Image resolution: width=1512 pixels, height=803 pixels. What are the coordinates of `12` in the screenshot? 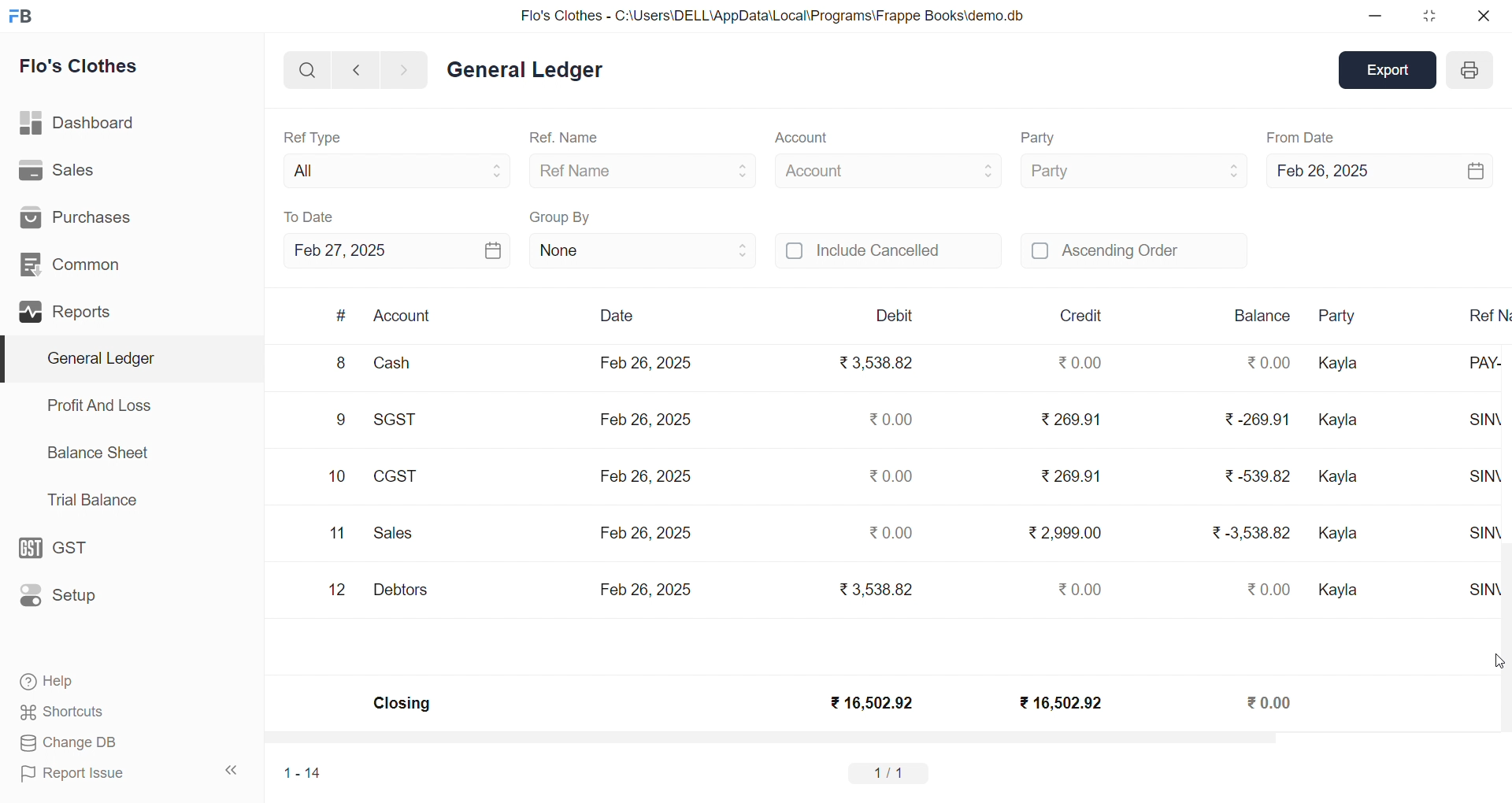 It's located at (339, 590).